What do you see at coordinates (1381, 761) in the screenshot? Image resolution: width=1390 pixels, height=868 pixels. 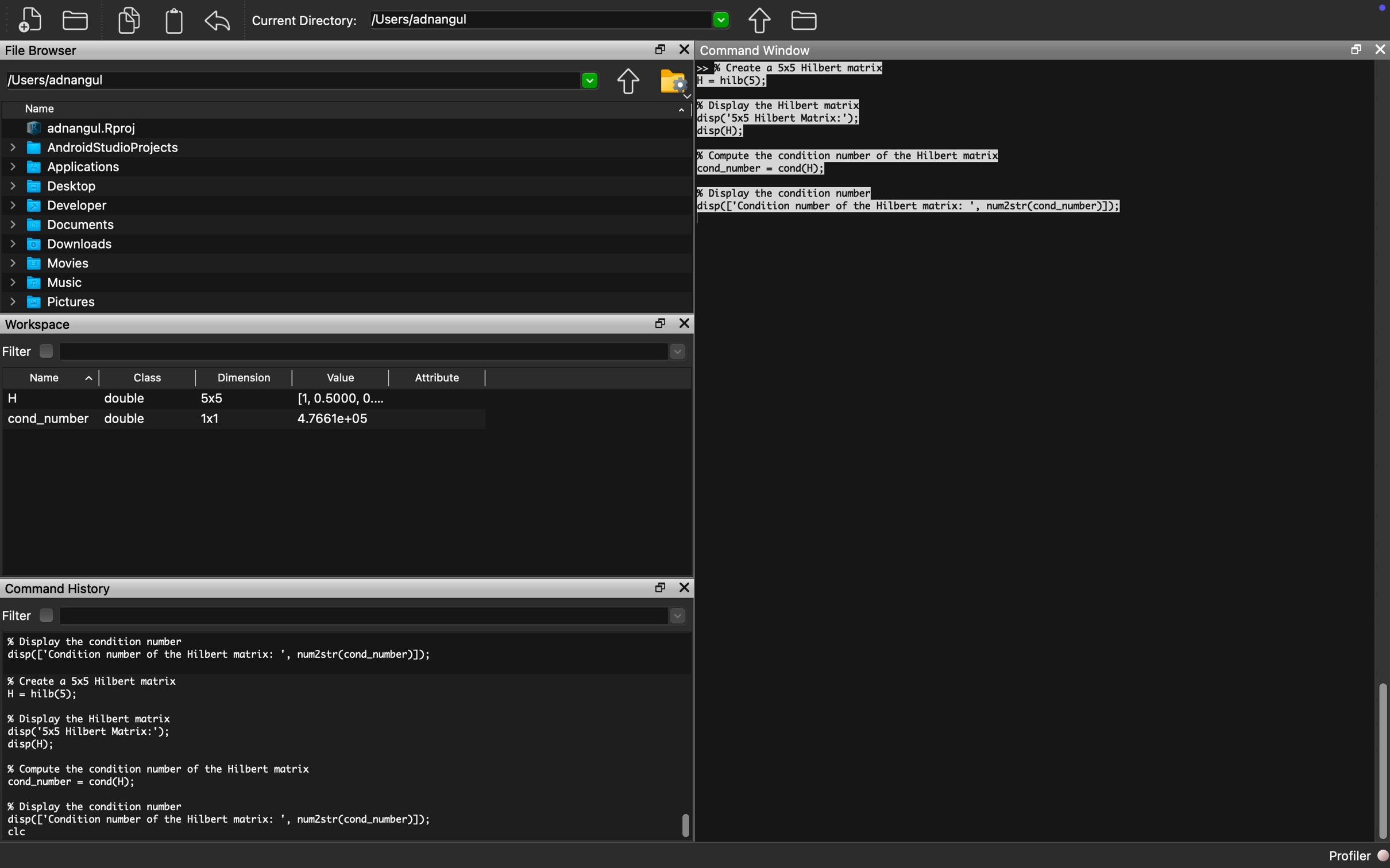 I see `Scroll` at bounding box center [1381, 761].